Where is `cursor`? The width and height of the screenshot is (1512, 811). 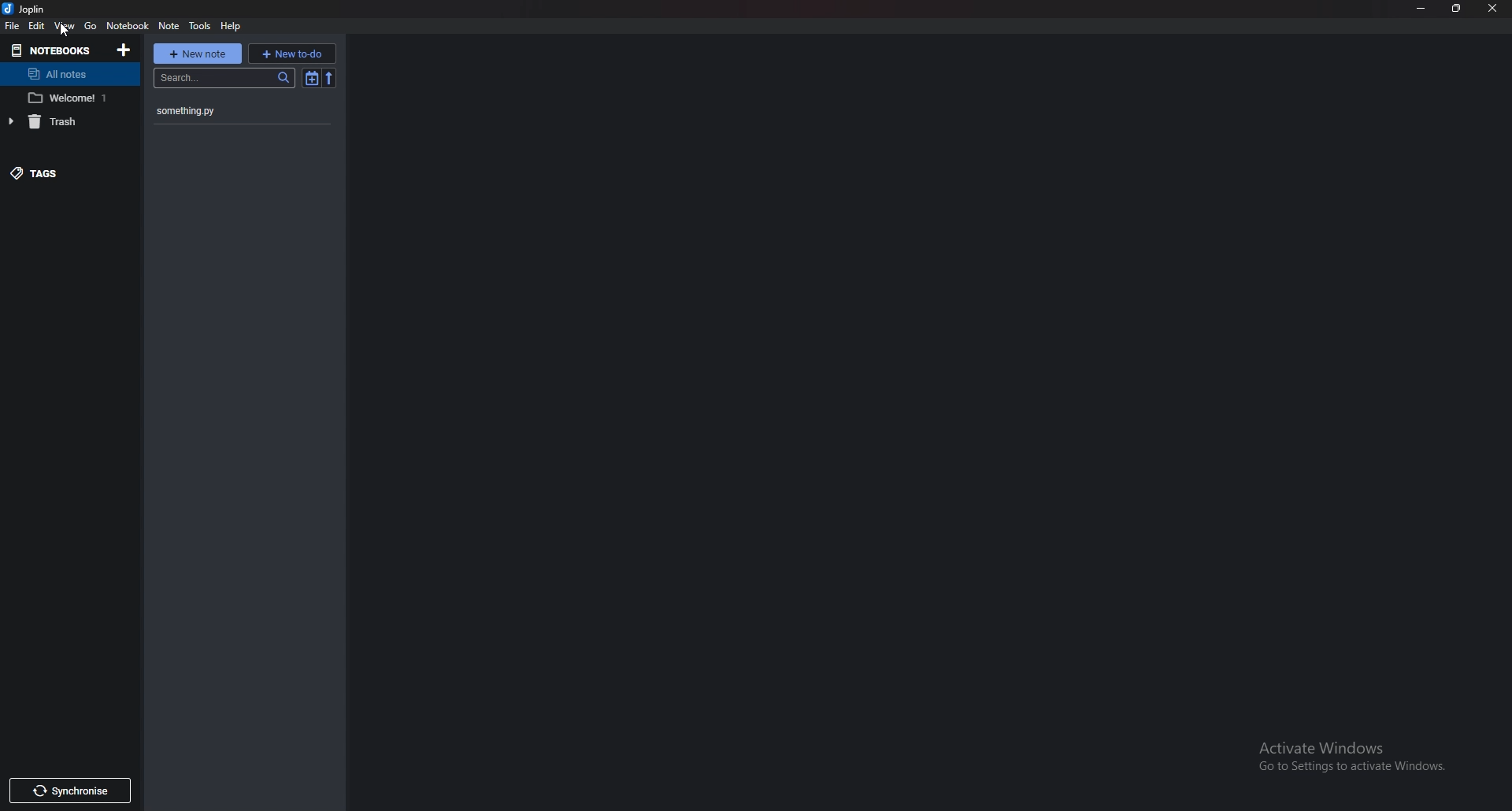
cursor is located at coordinates (68, 31).